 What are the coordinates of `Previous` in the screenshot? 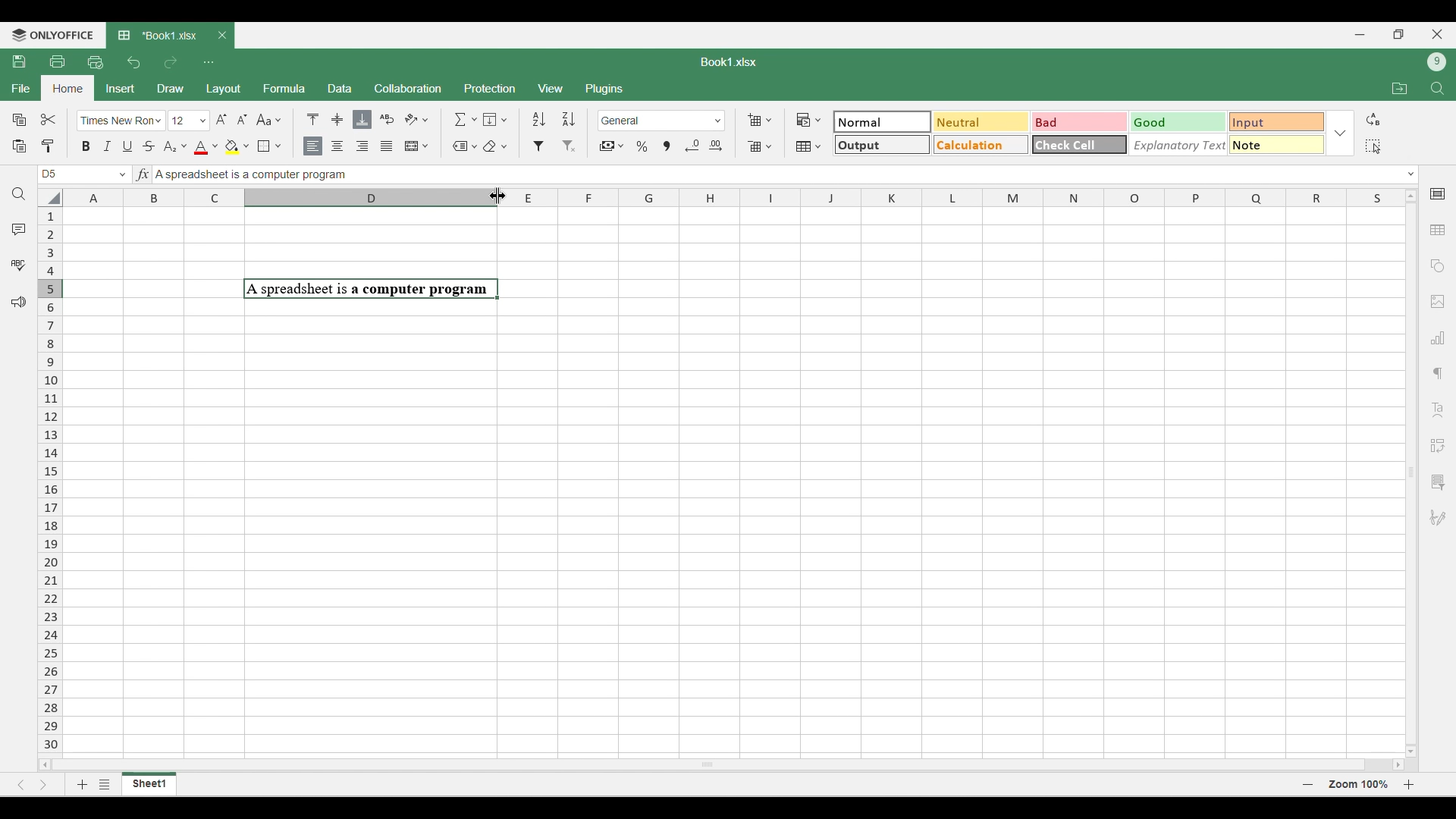 It's located at (20, 785).